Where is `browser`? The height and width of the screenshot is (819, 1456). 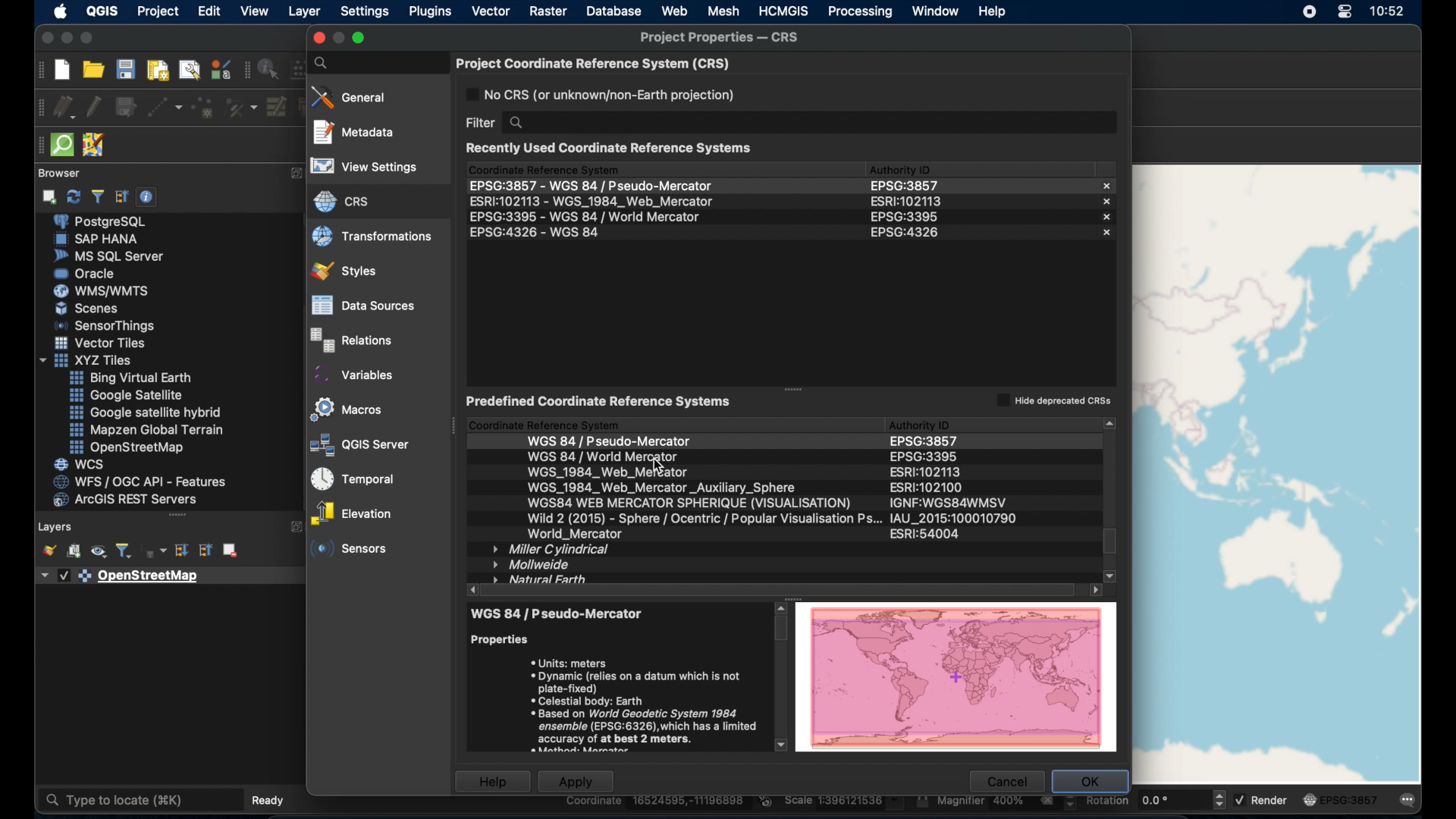 browser is located at coordinates (63, 174).